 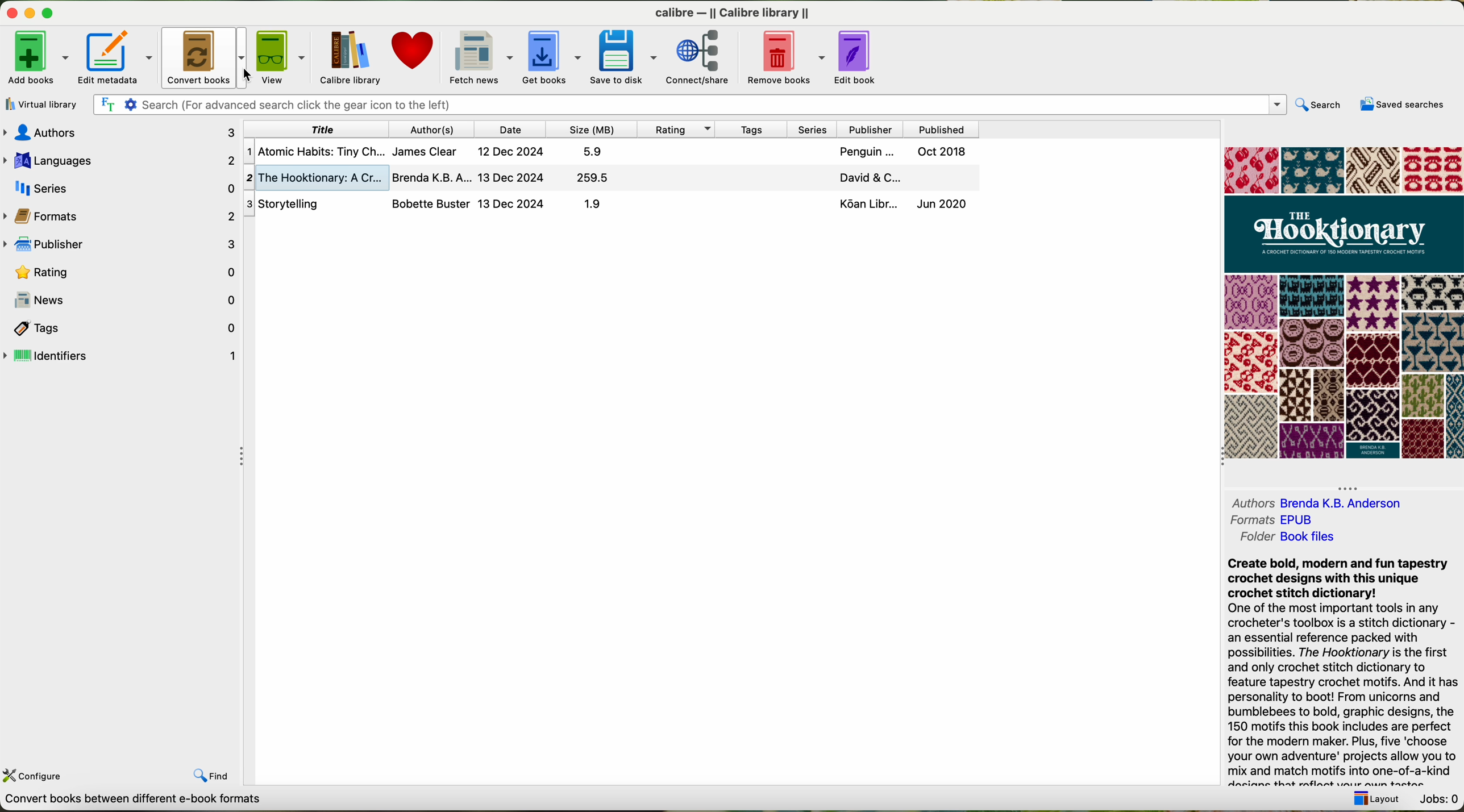 I want to click on fetch news, so click(x=479, y=57).